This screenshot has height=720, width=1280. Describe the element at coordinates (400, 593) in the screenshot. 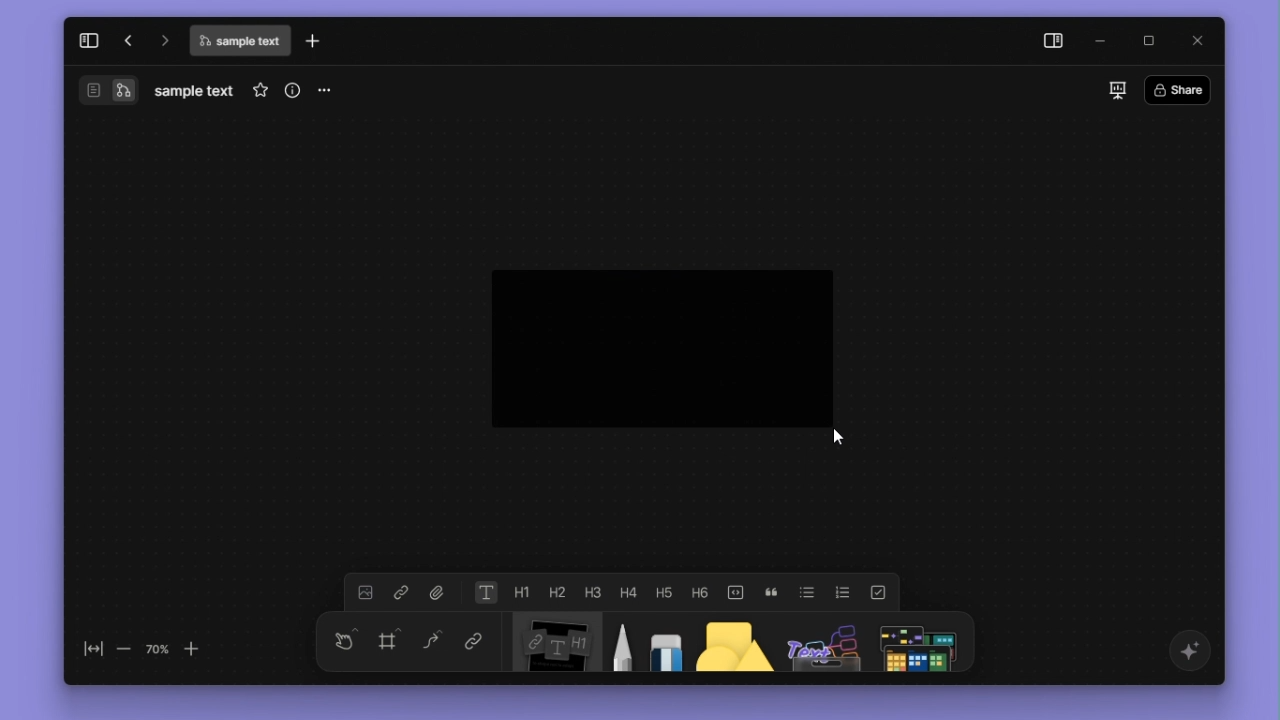

I see `link` at that location.